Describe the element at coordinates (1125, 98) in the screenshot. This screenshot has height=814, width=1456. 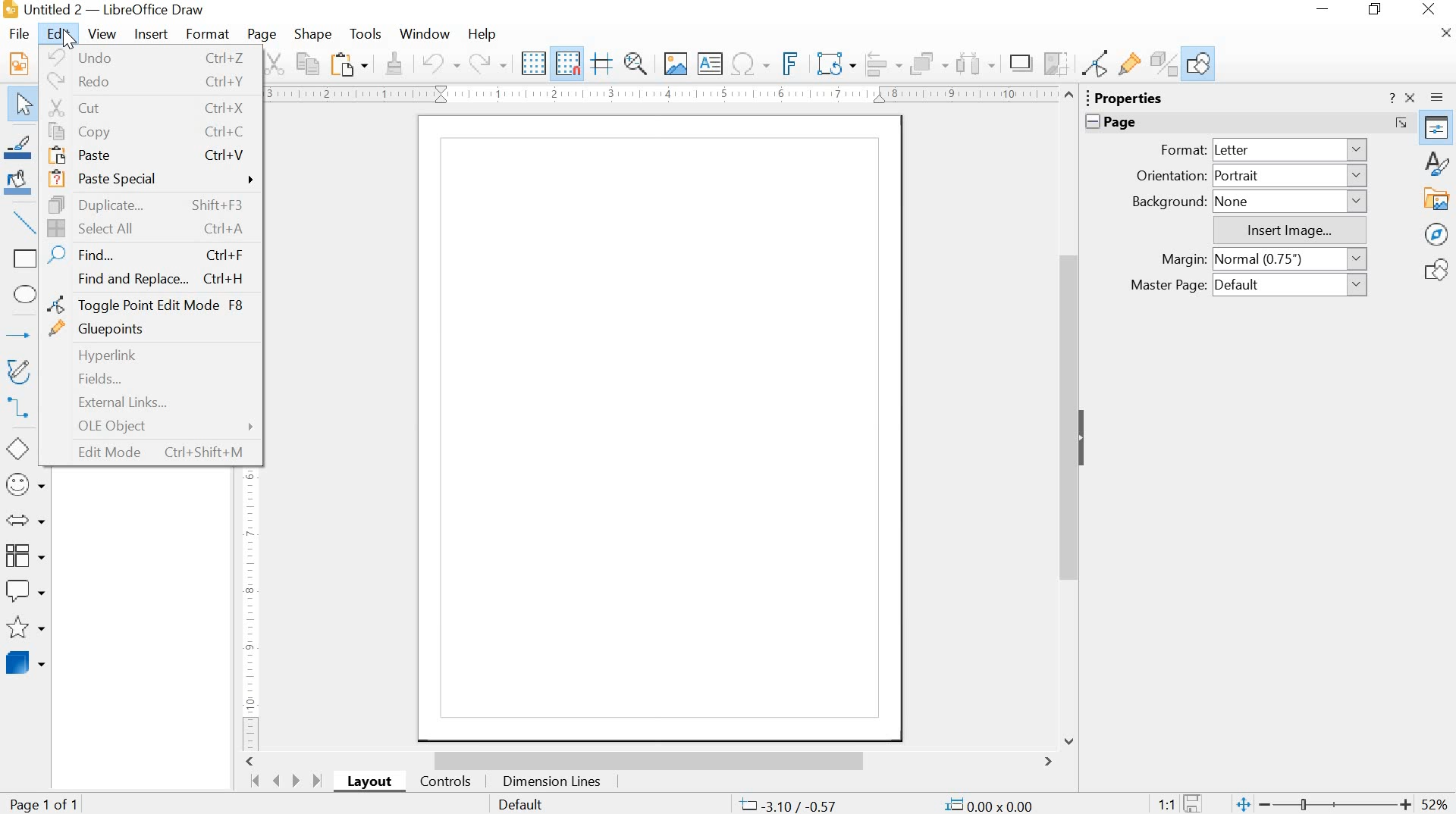
I see `Properties` at that location.